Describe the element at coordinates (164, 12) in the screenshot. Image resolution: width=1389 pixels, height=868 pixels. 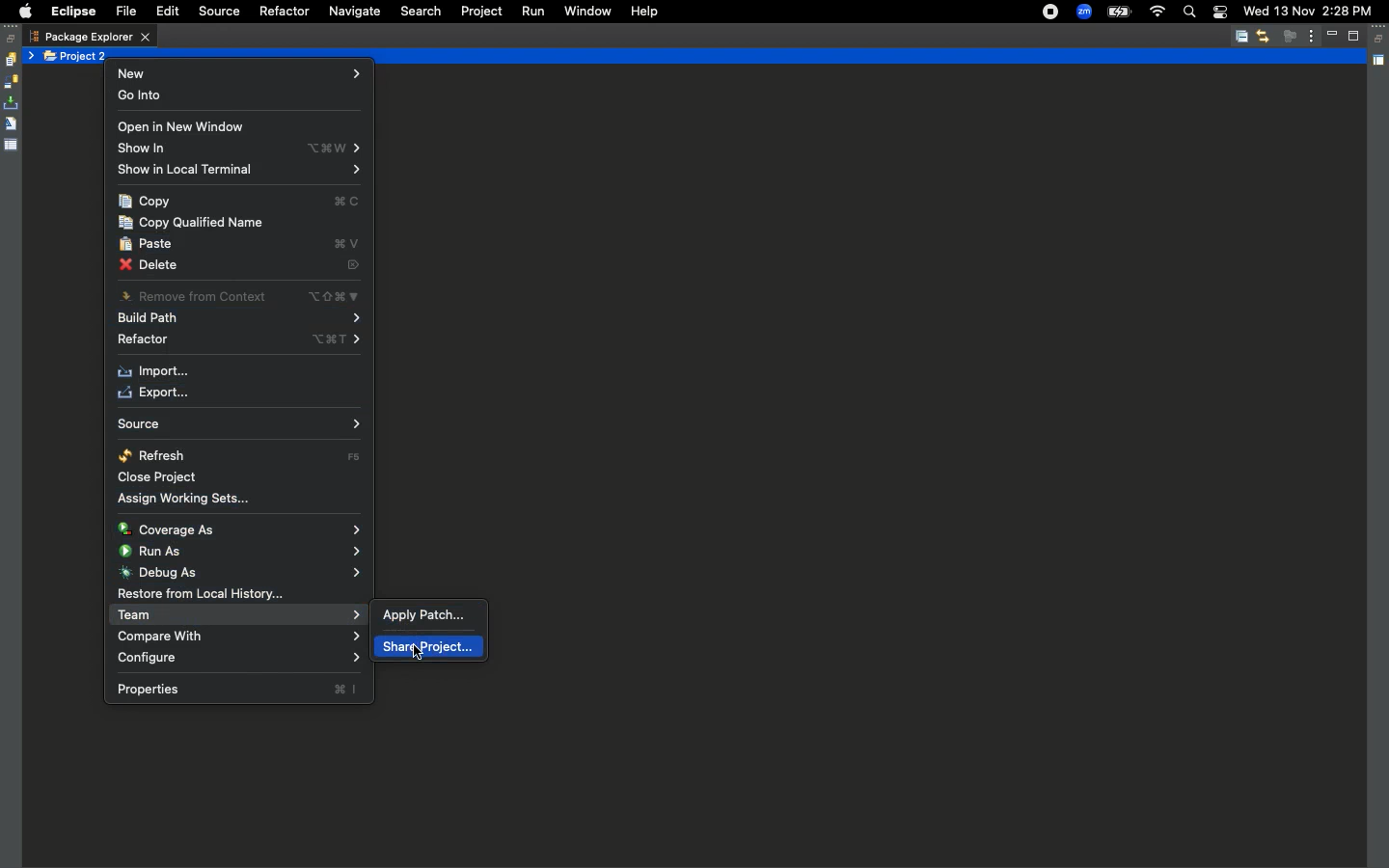
I see `Edit` at that location.